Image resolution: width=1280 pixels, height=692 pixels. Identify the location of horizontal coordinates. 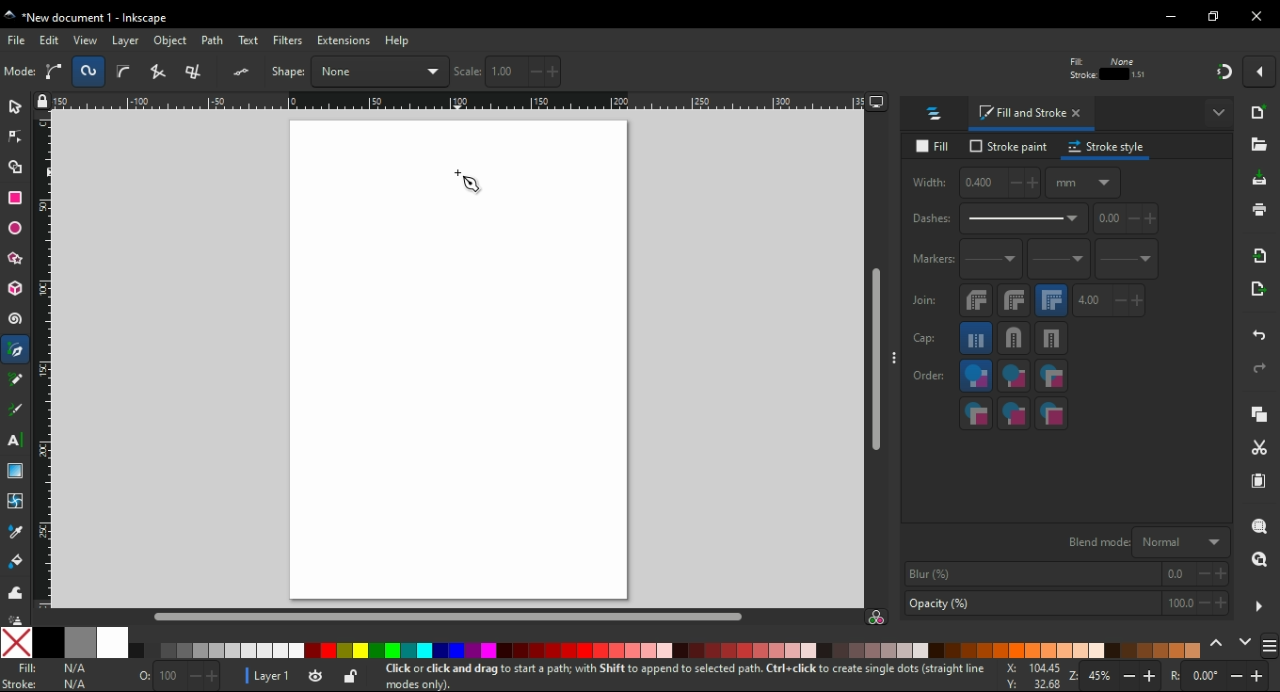
(515, 72).